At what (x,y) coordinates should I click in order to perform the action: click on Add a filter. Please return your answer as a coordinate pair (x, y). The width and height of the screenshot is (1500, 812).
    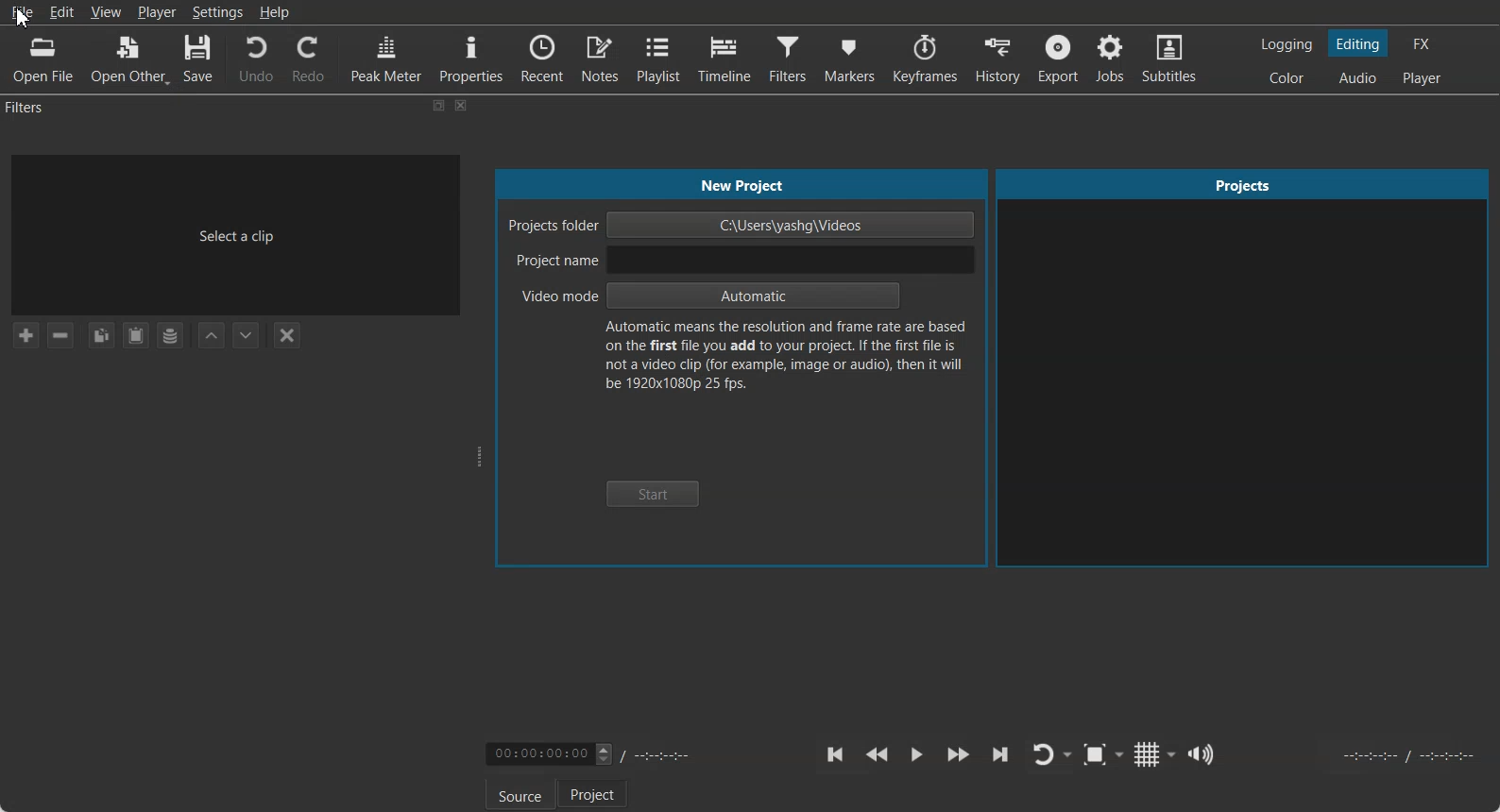
    Looking at the image, I should click on (26, 334).